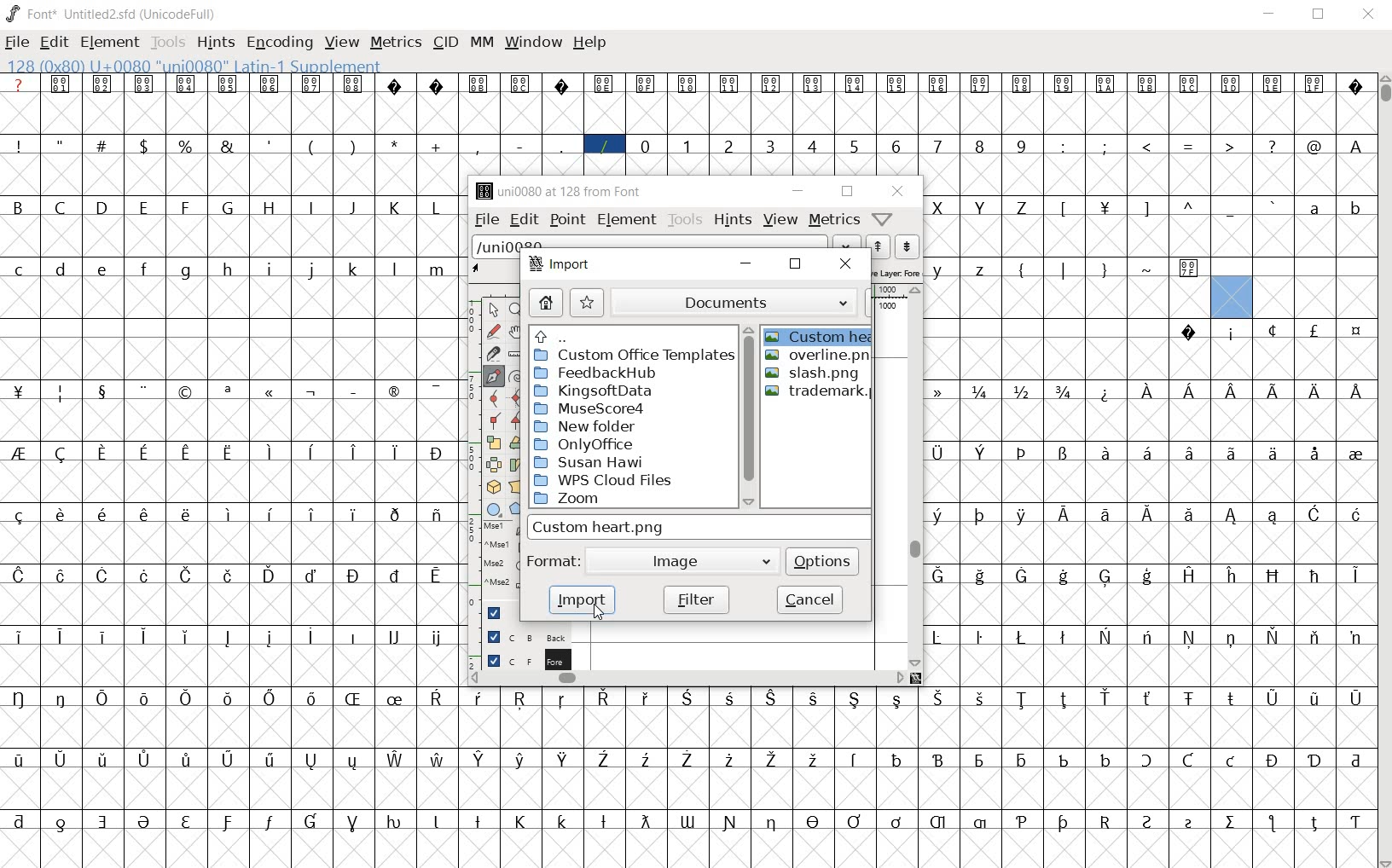  I want to click on glyph, so click(937, 208).